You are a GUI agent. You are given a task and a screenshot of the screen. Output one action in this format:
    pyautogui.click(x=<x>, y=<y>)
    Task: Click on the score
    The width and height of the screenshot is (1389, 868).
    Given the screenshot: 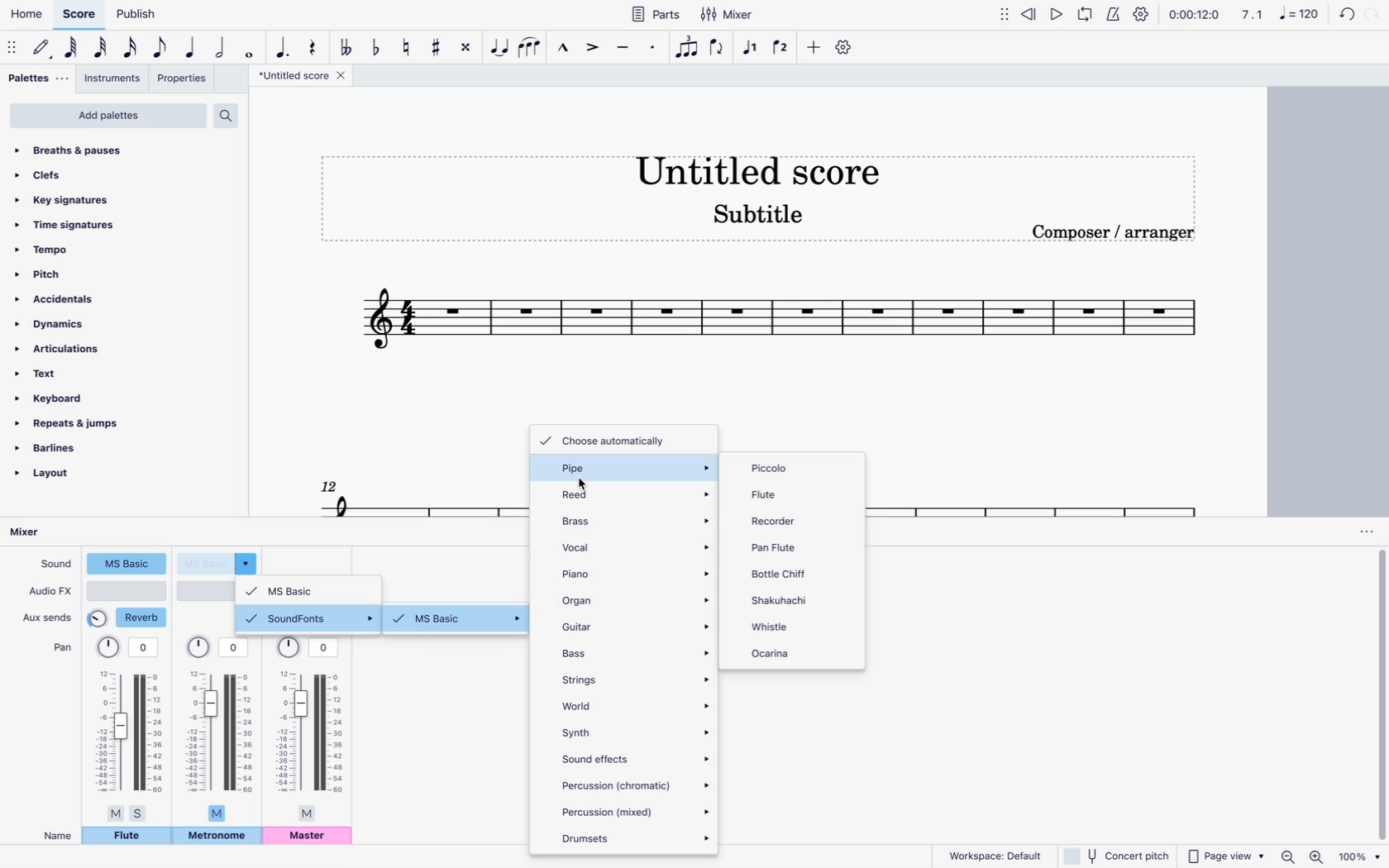 What is the action you would take?
    pyautogui.click(x=391, y=494)
    